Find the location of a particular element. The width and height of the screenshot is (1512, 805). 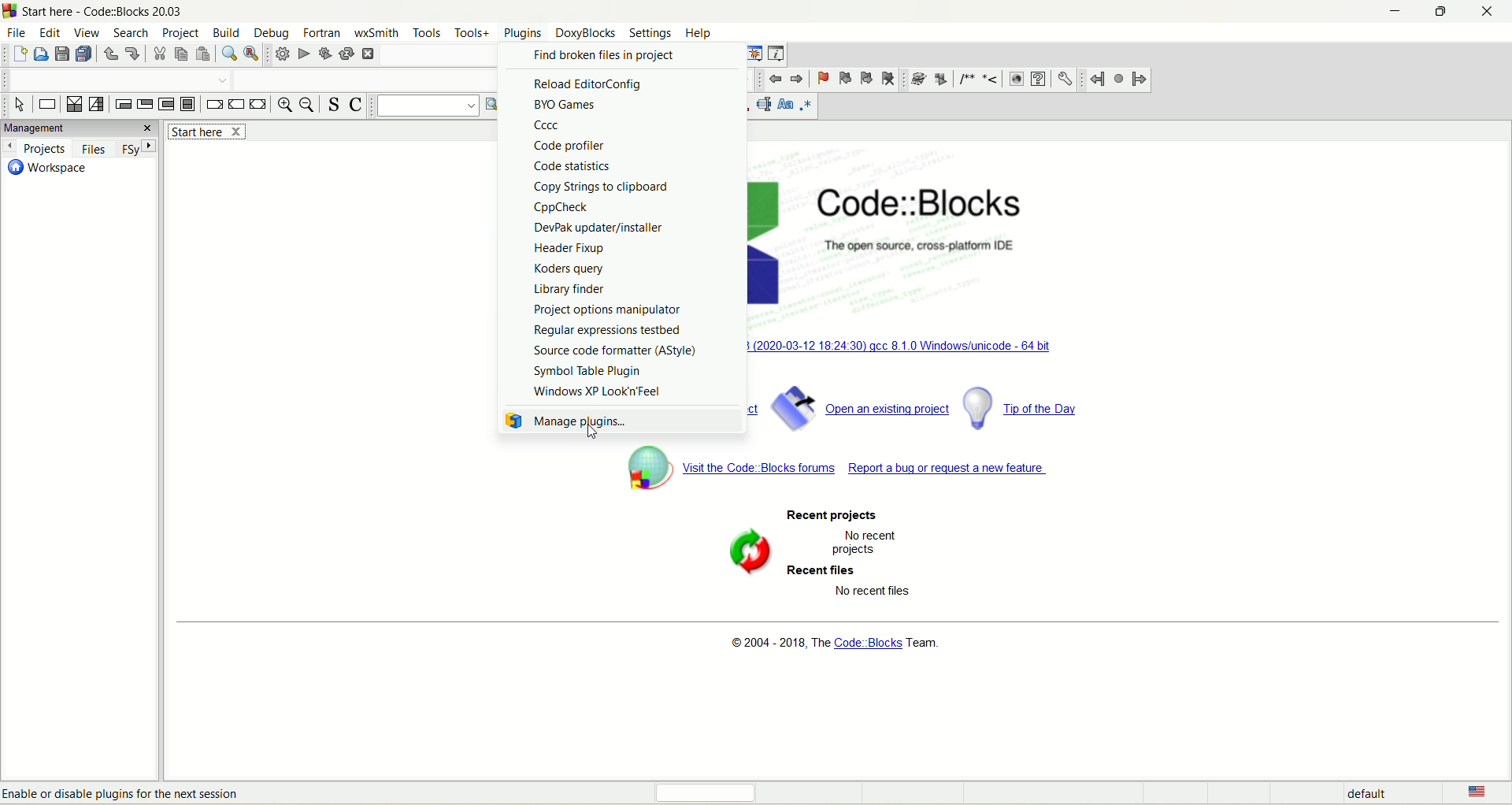

view is located at coordinates (88, 32).